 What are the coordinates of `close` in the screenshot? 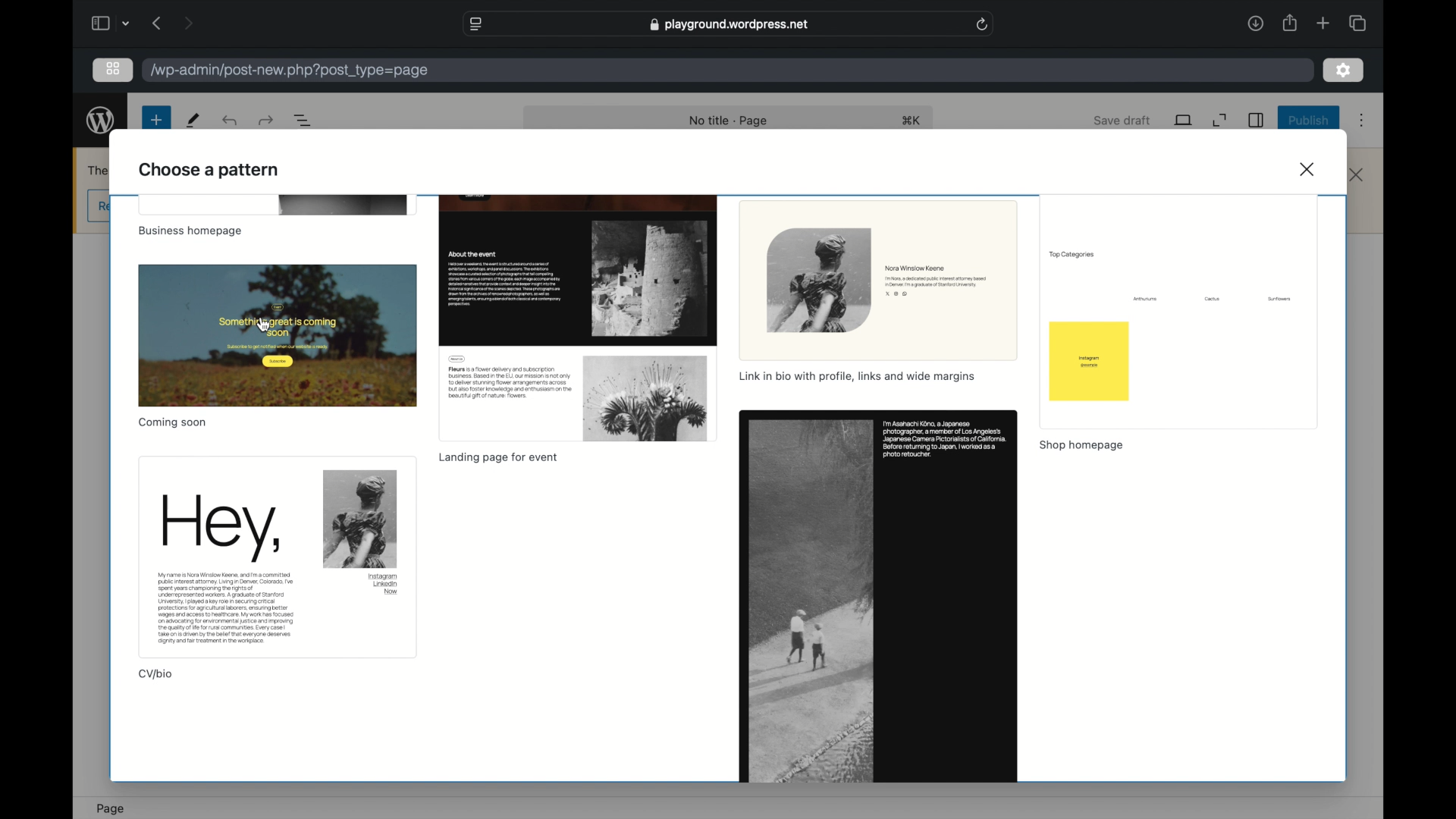 It's located at (1357, 175).